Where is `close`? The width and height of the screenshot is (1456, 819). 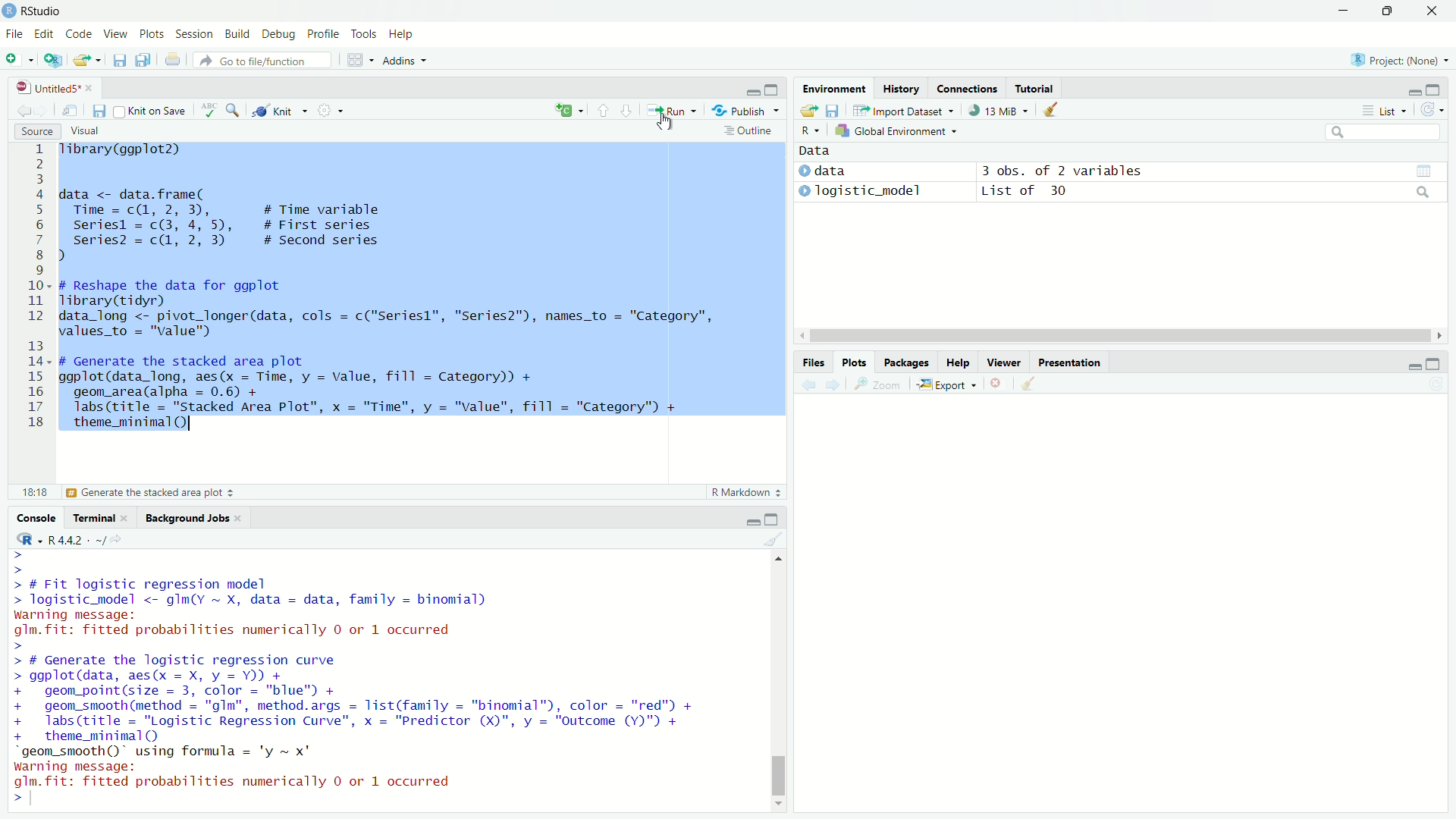
close is located at coordinates (996, 383).